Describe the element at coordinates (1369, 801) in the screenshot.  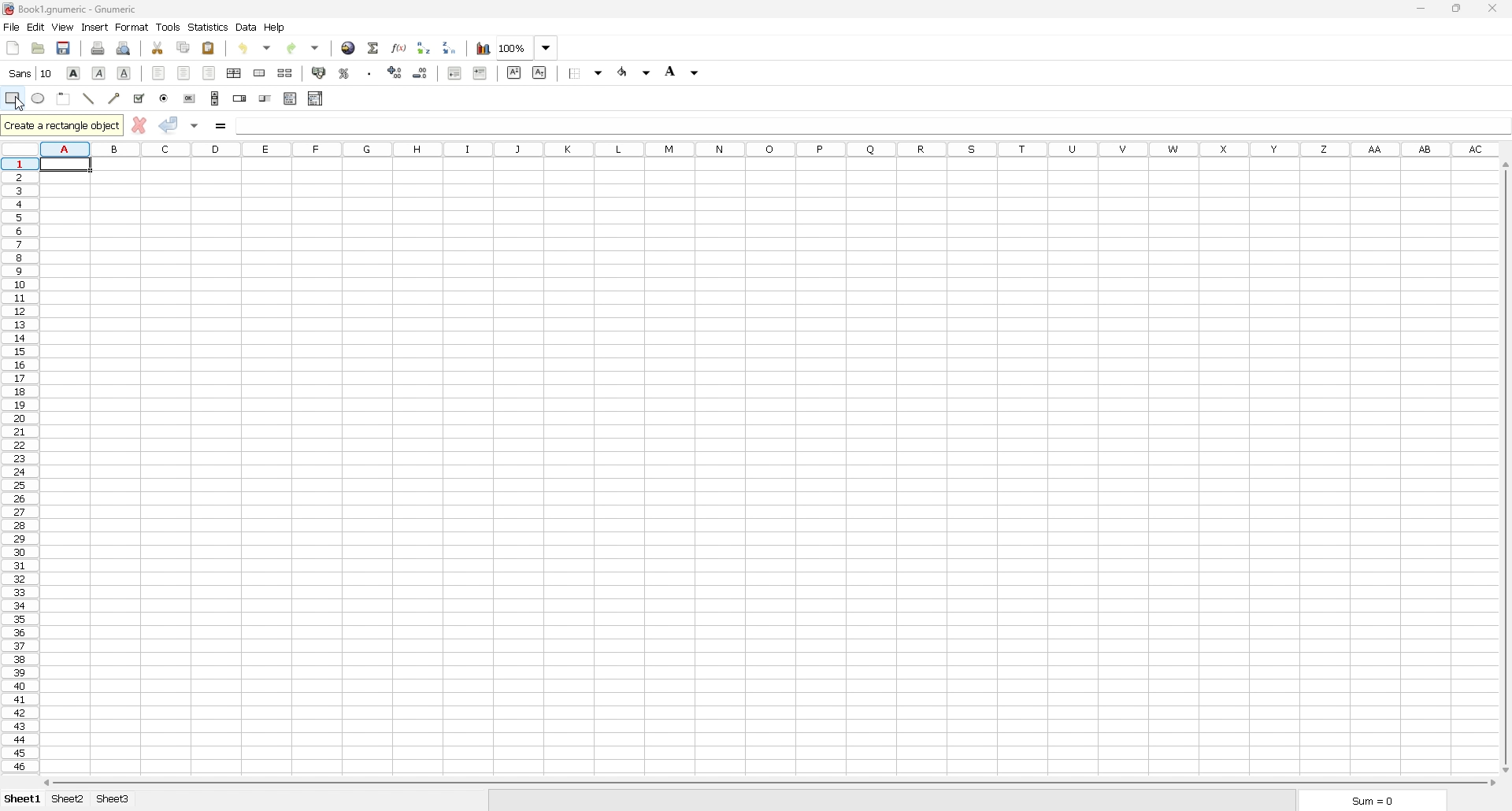
I see `sum` at that location.